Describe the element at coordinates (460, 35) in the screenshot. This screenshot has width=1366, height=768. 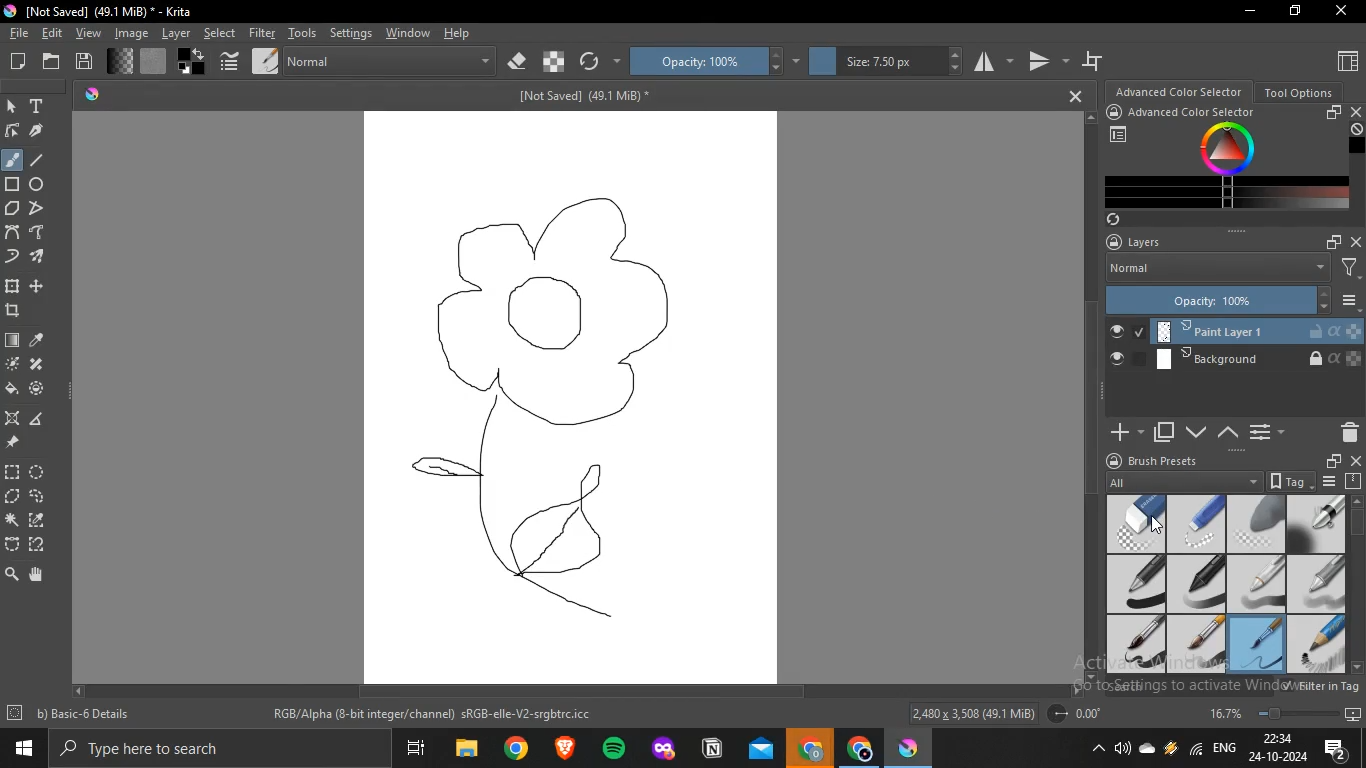
I see `help` at that location.